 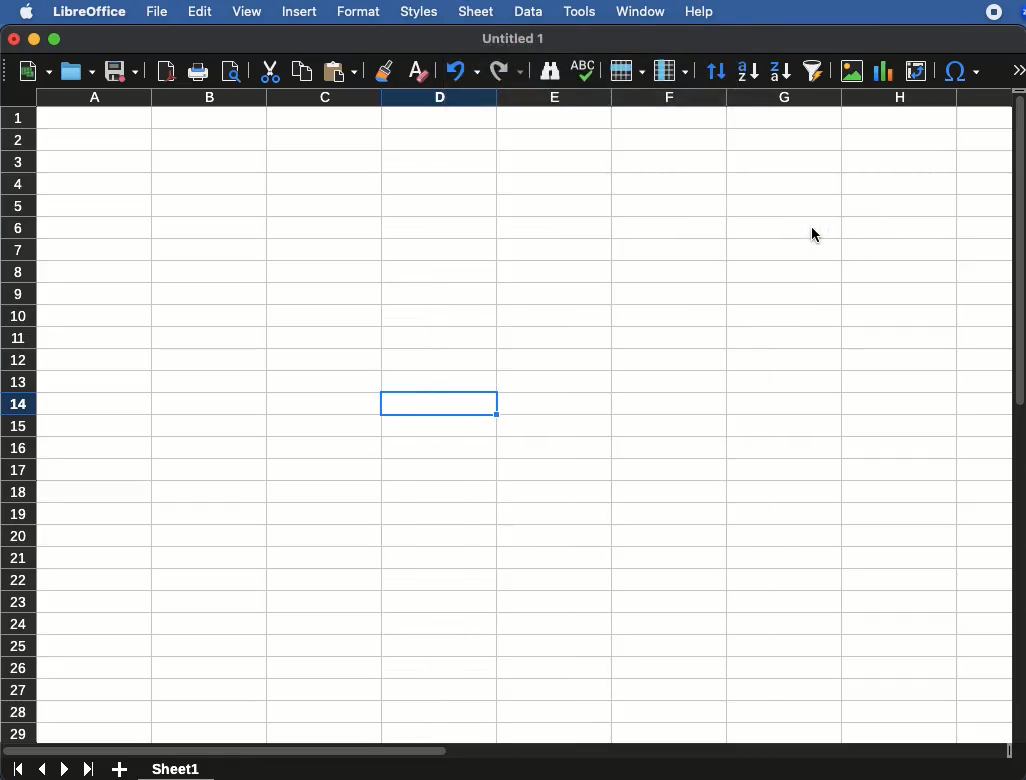 I want to click on data, so click(x=526, y=11).